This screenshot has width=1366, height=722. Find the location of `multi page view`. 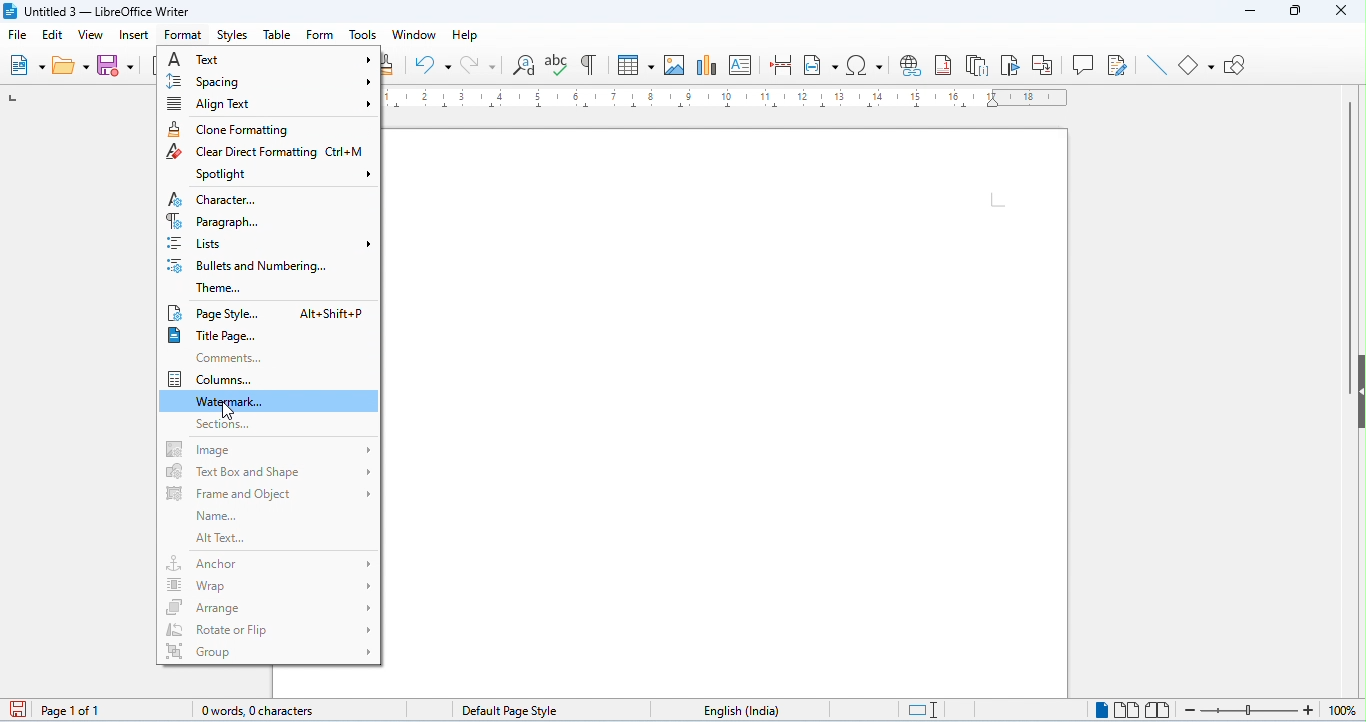

multi page view is located at coordinates (1130, 710).